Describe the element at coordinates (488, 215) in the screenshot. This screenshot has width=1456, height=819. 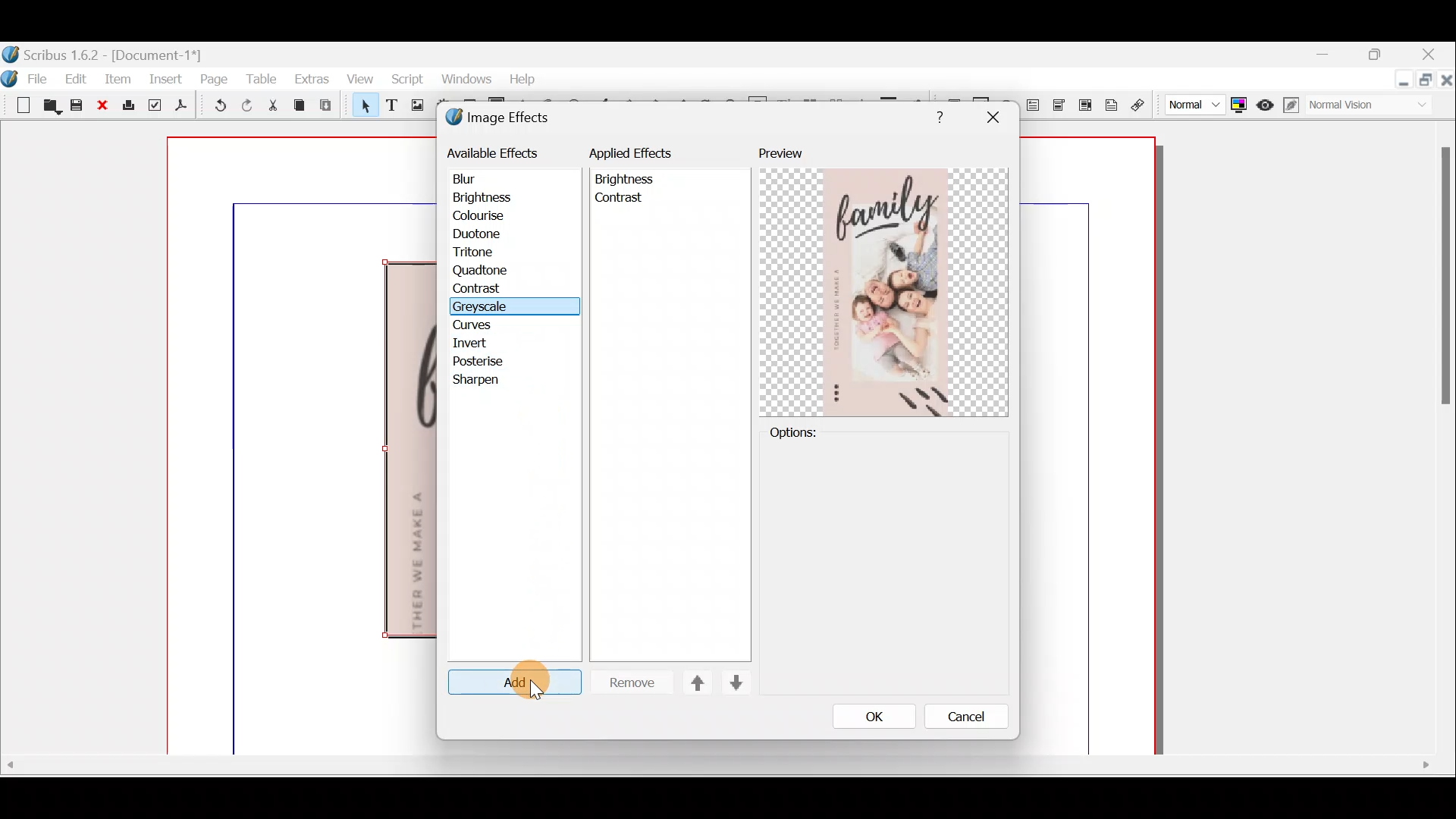
I see `colourise` at that location.